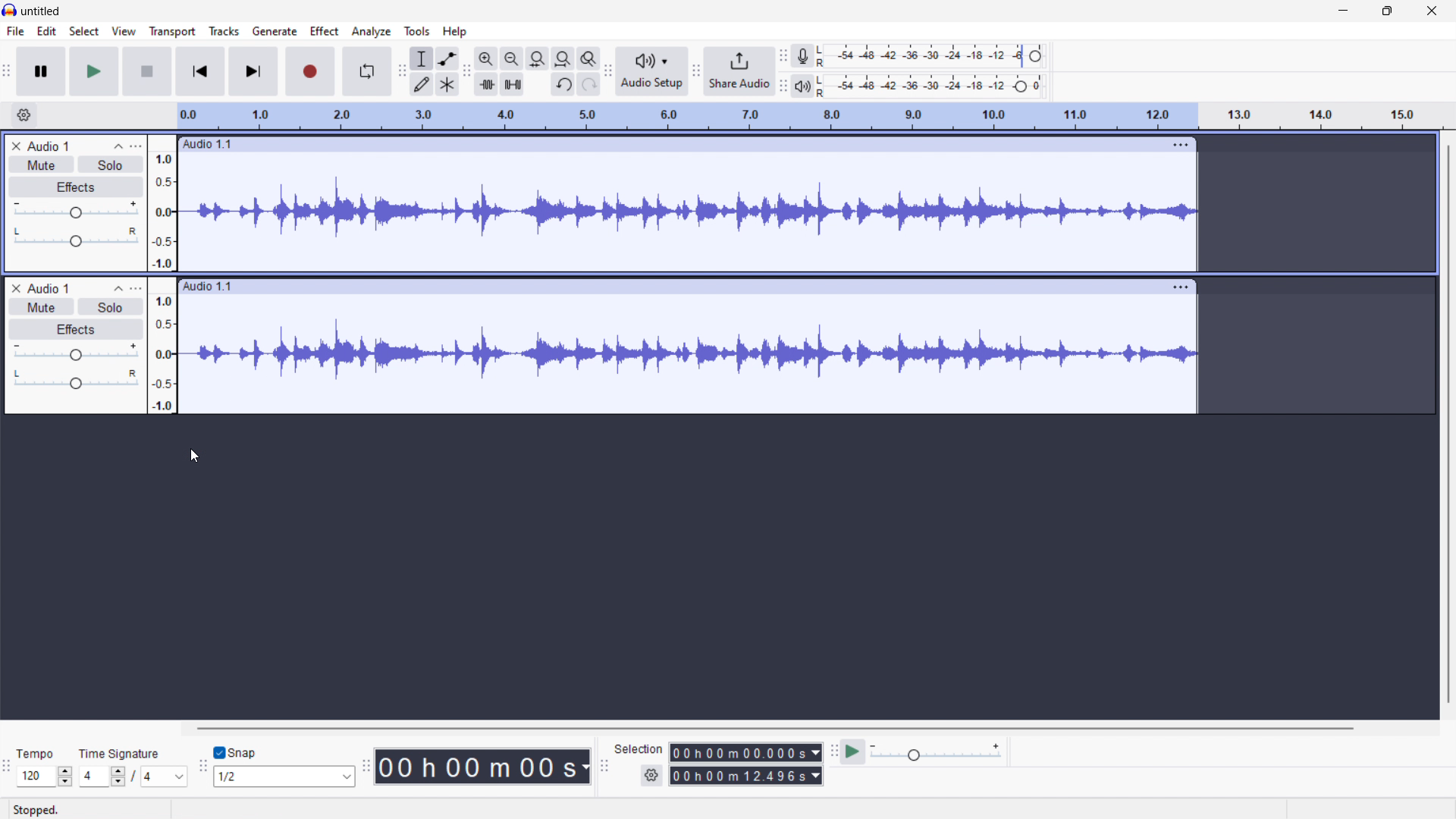 The width and height of the screenshot is (1456, 819). Describe the element at coordinates (695, 72) in the screenshot. I see `playback meter toolbar` at that location.